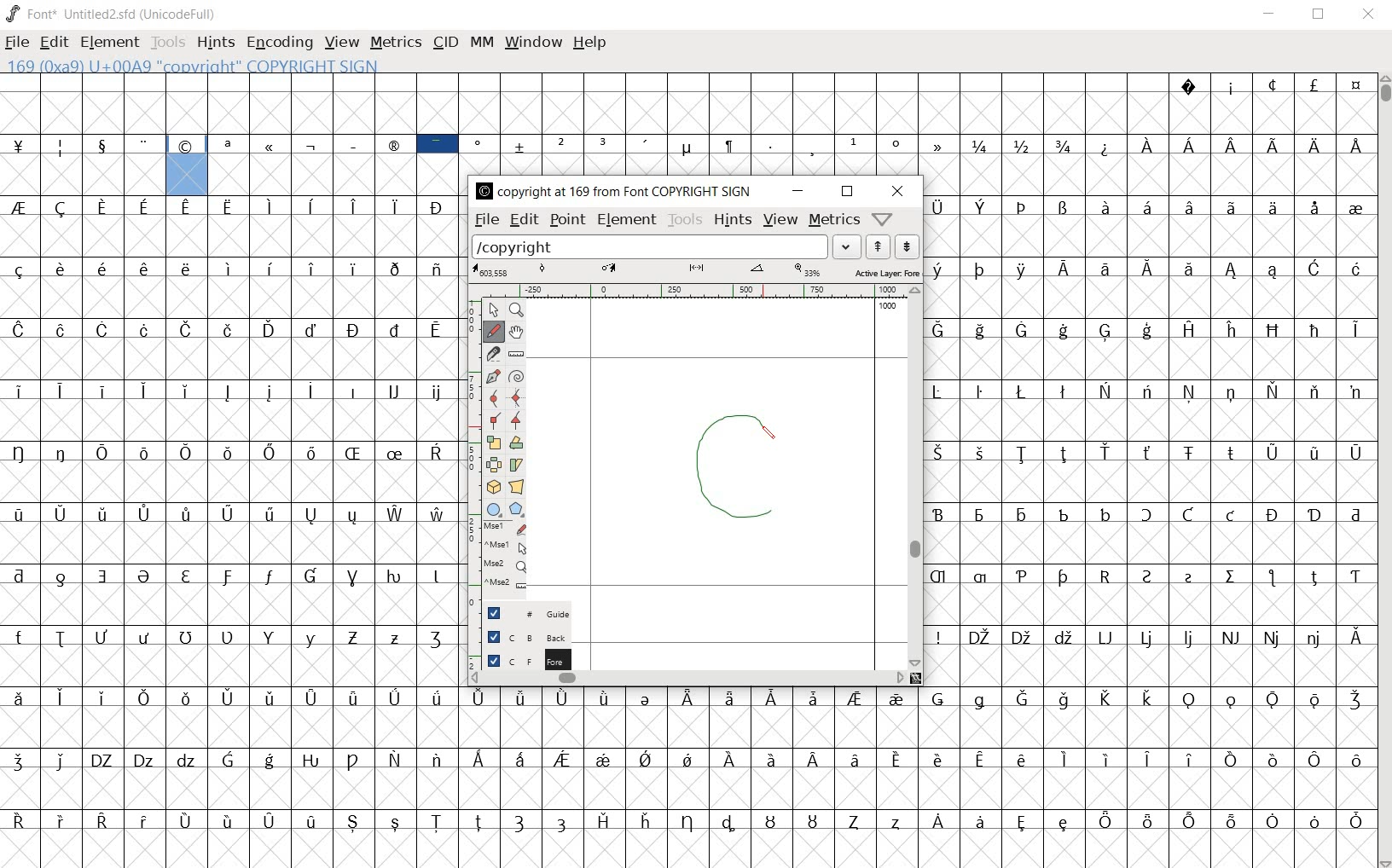 This screenshot has width=1392, height=868. I want to click on Help/Window, so click(884, 218).